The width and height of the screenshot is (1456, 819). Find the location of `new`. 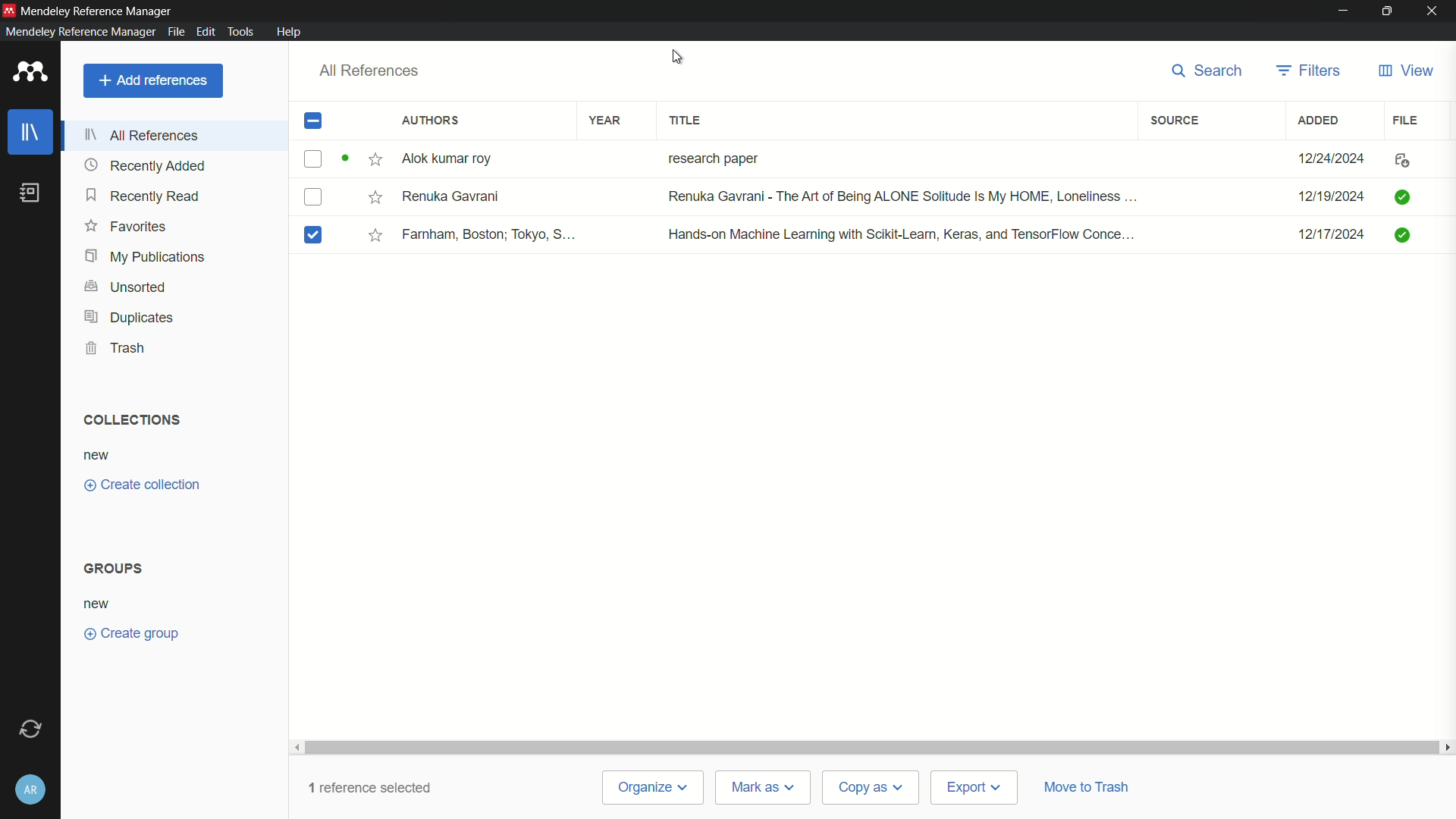

new is located at coordinates (99, 457).